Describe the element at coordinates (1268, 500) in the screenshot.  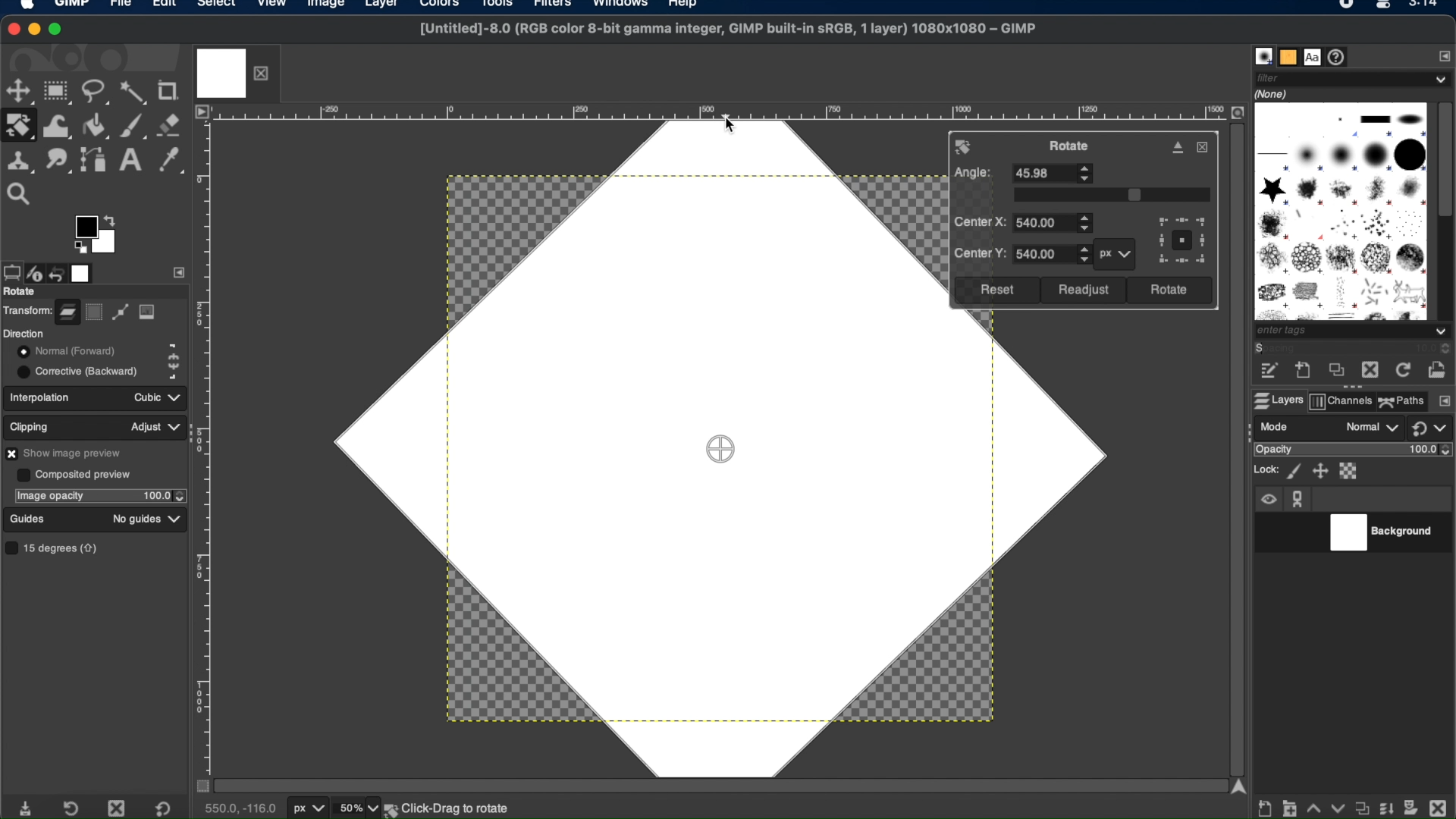
I see `visibility icon` at that location.